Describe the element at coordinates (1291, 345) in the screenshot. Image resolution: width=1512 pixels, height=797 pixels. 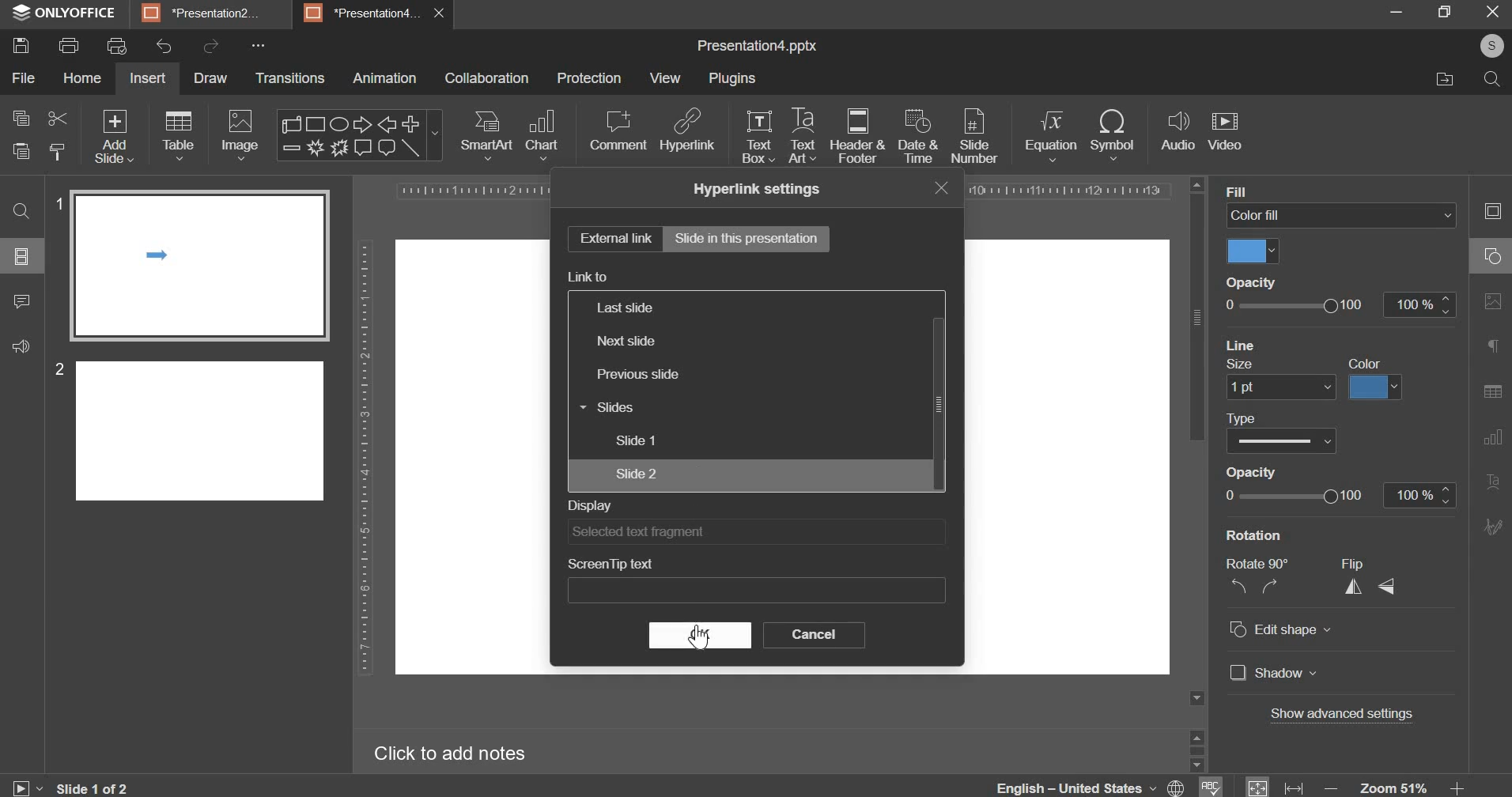
I see `` at that location.